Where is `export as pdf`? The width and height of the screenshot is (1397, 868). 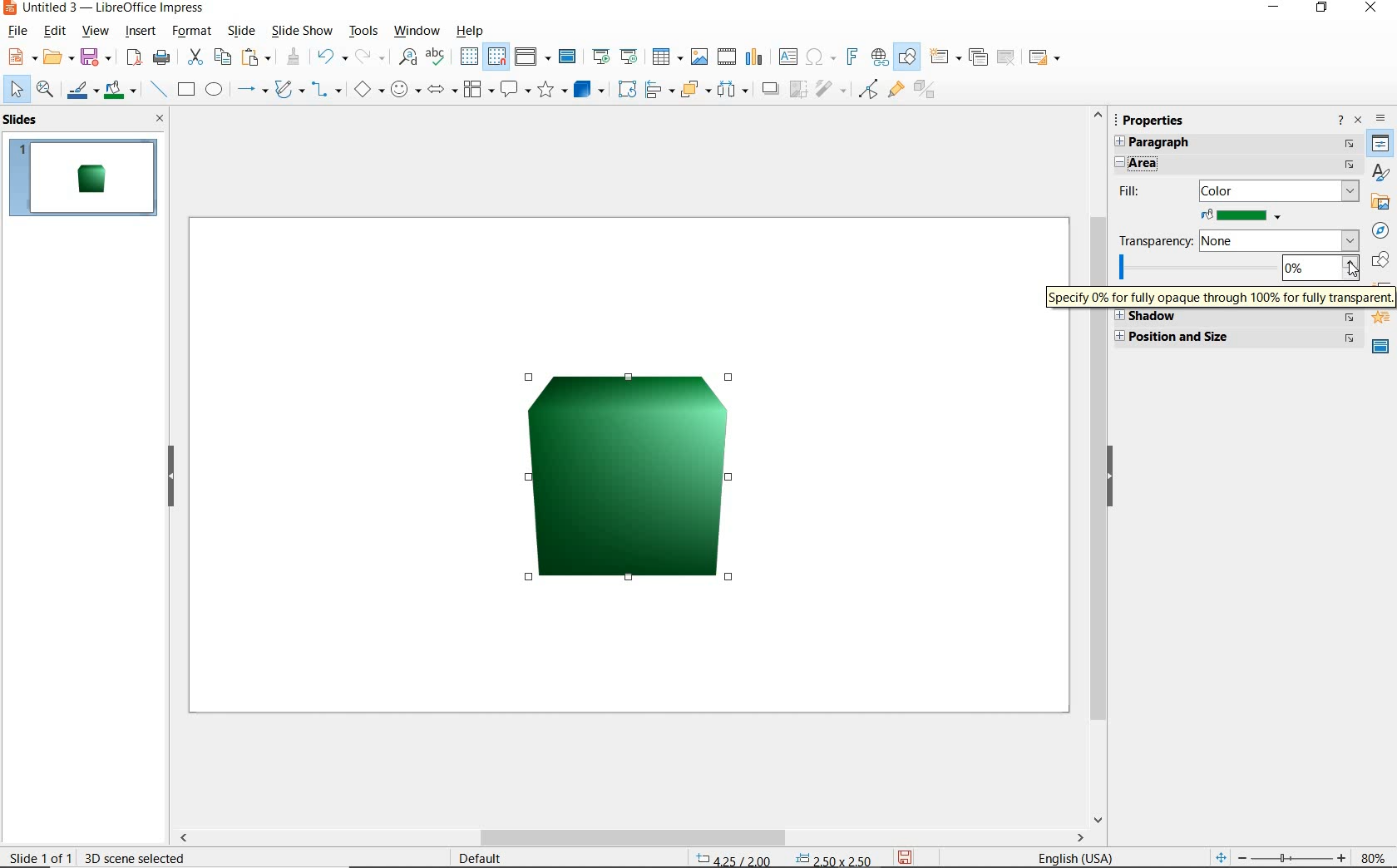 export as pdf is located at coordinates (135, 60).